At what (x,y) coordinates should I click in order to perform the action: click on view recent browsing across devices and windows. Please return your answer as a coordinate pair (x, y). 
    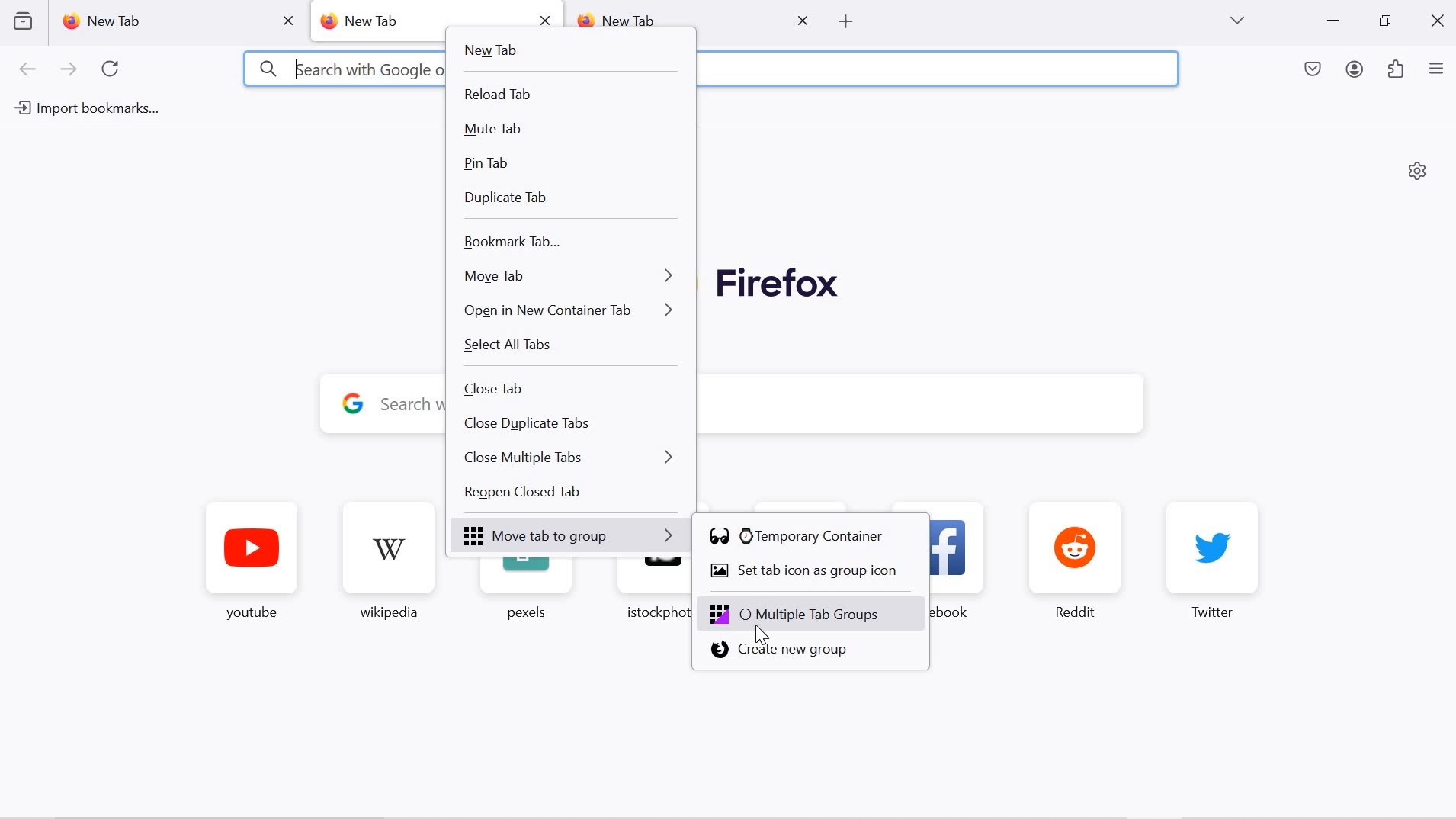
    Looking at the image, I should click on (22, 21).